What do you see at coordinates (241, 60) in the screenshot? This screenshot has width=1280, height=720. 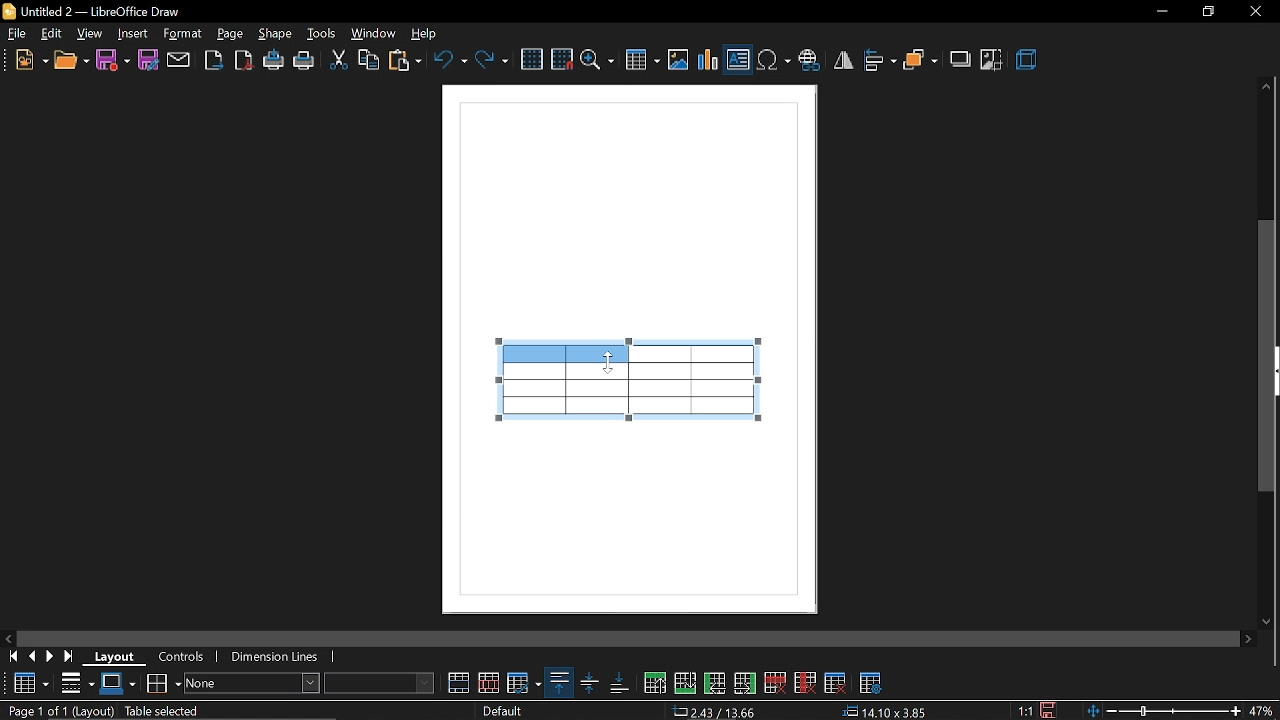 I see `export as pdf` at bounding box center [241, 60].